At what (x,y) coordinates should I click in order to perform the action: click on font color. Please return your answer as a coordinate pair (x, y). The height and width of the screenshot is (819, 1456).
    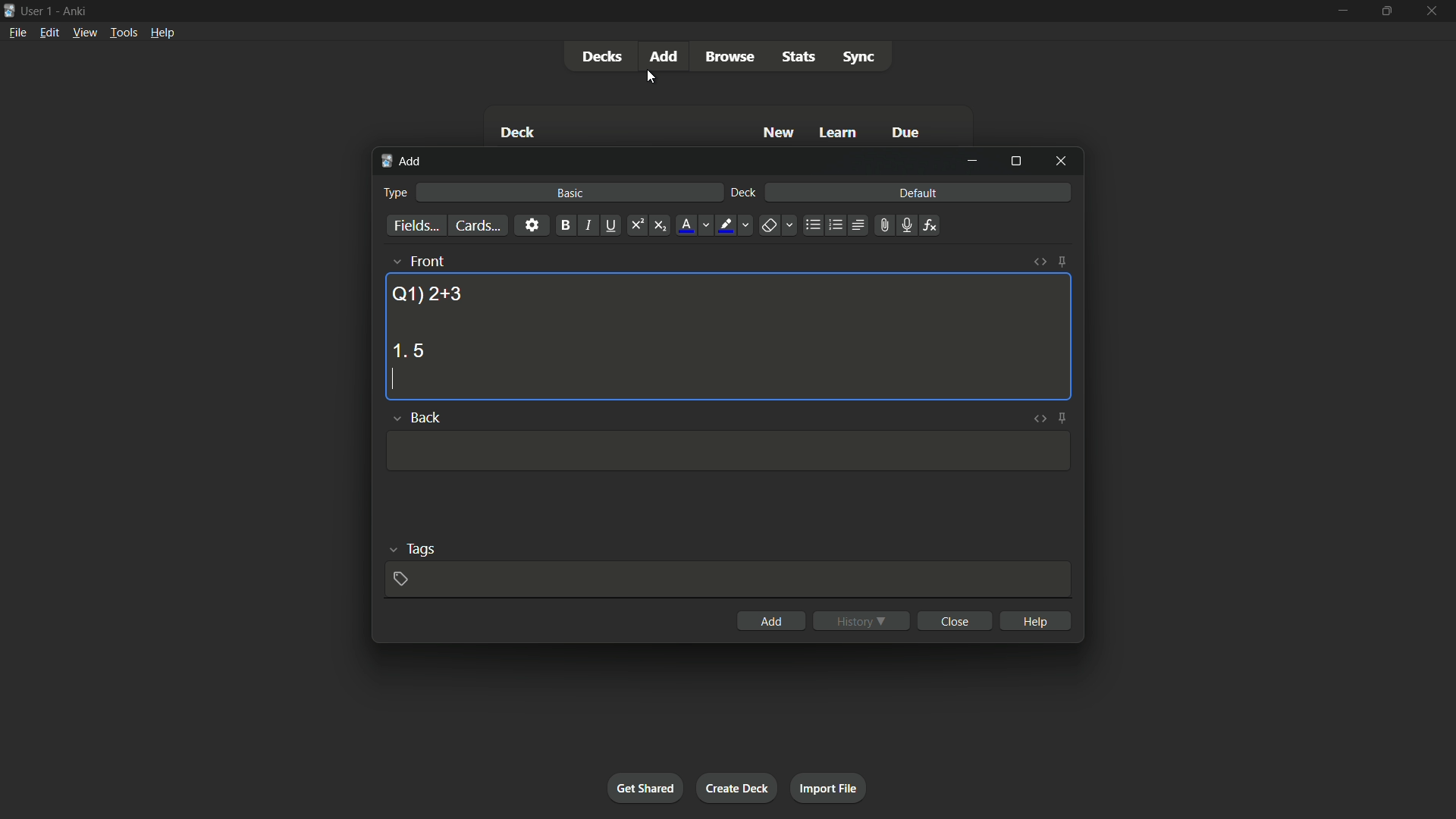
    Looking at the image, I should click on (687, 225).